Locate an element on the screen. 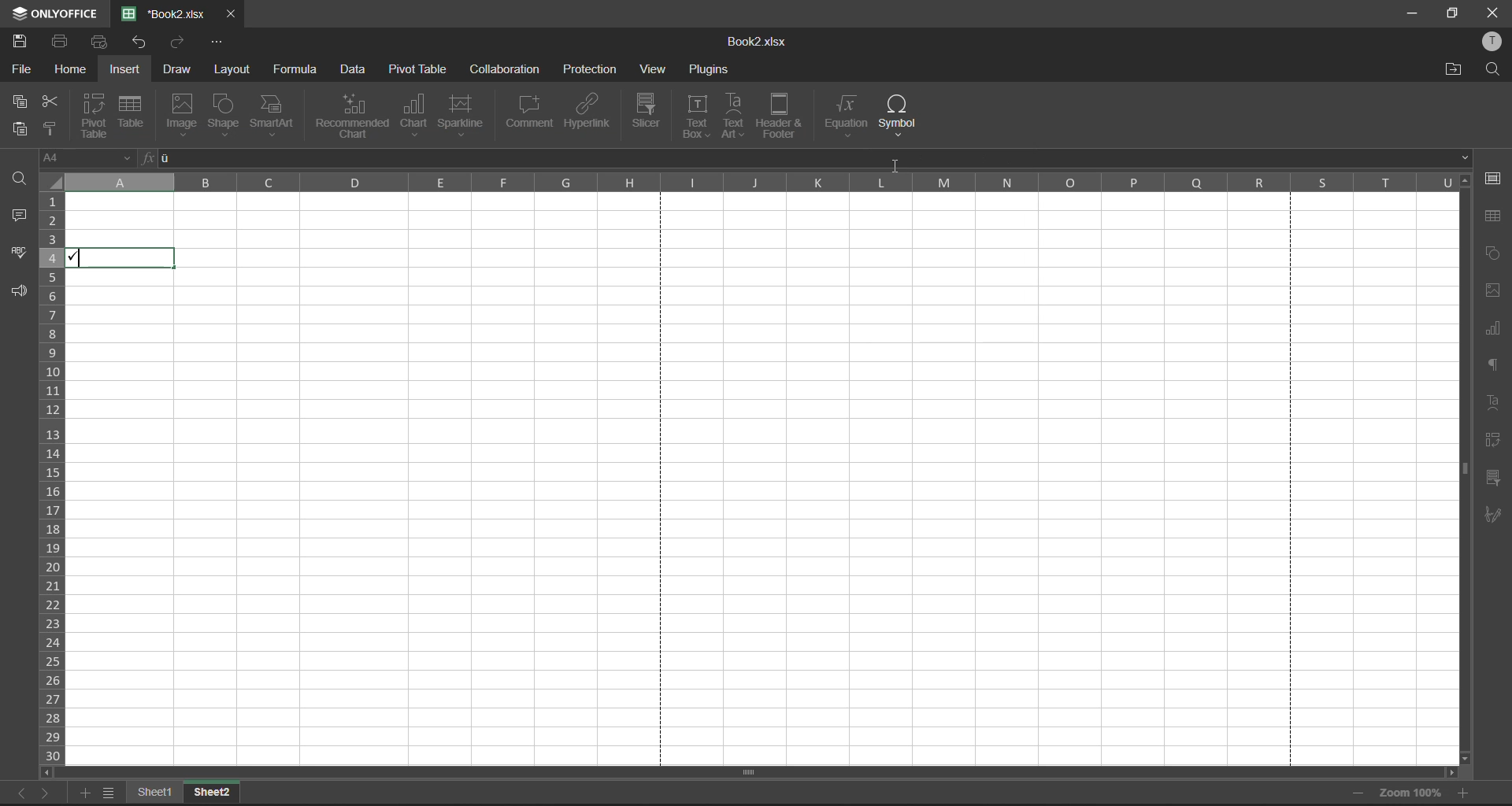 This screenshot has height=806, width=1512. pivot table is located at coordinates (1492, 442).